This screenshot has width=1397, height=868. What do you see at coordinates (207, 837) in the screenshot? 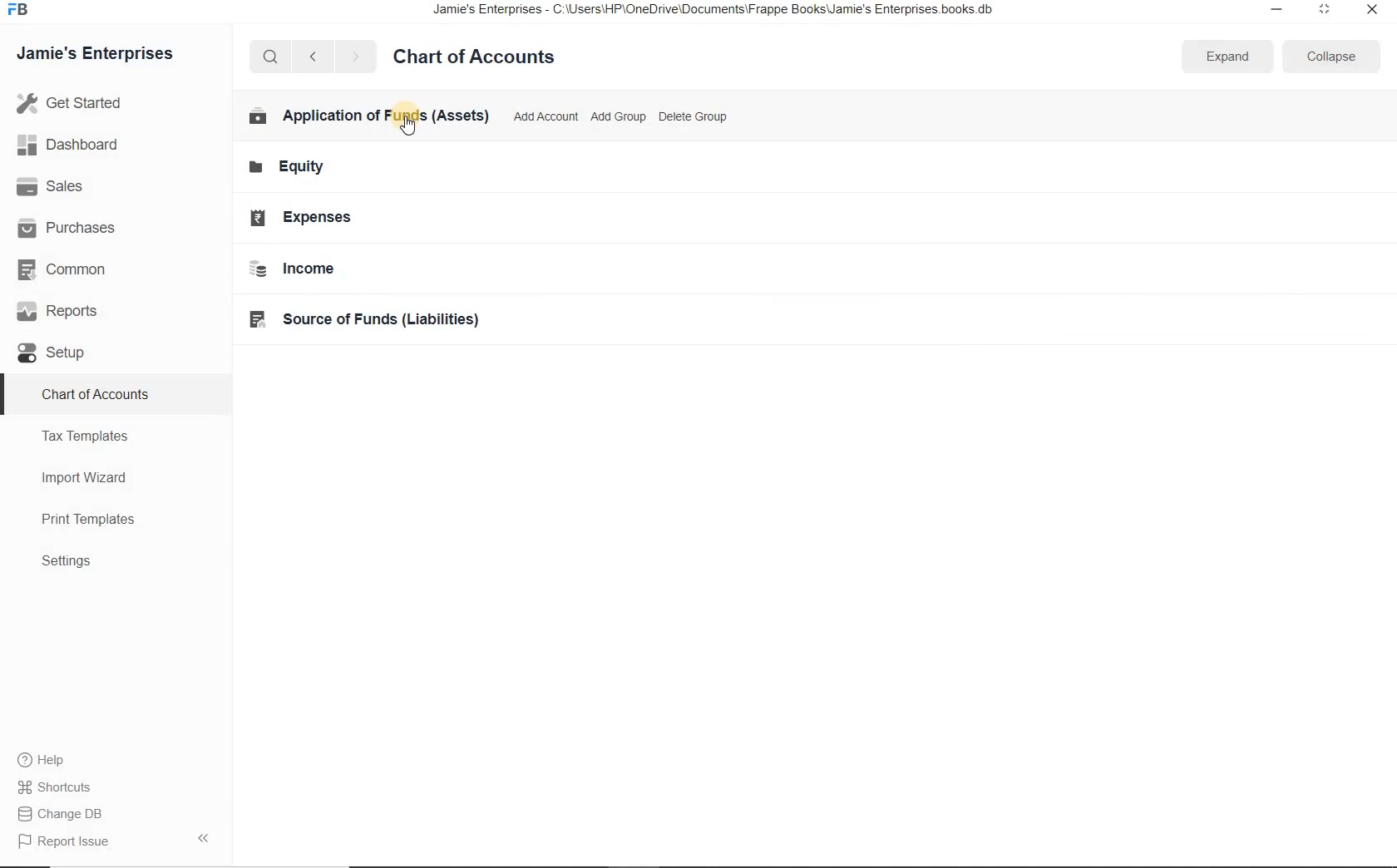
I see `expand` at bounding box center [207, 837].